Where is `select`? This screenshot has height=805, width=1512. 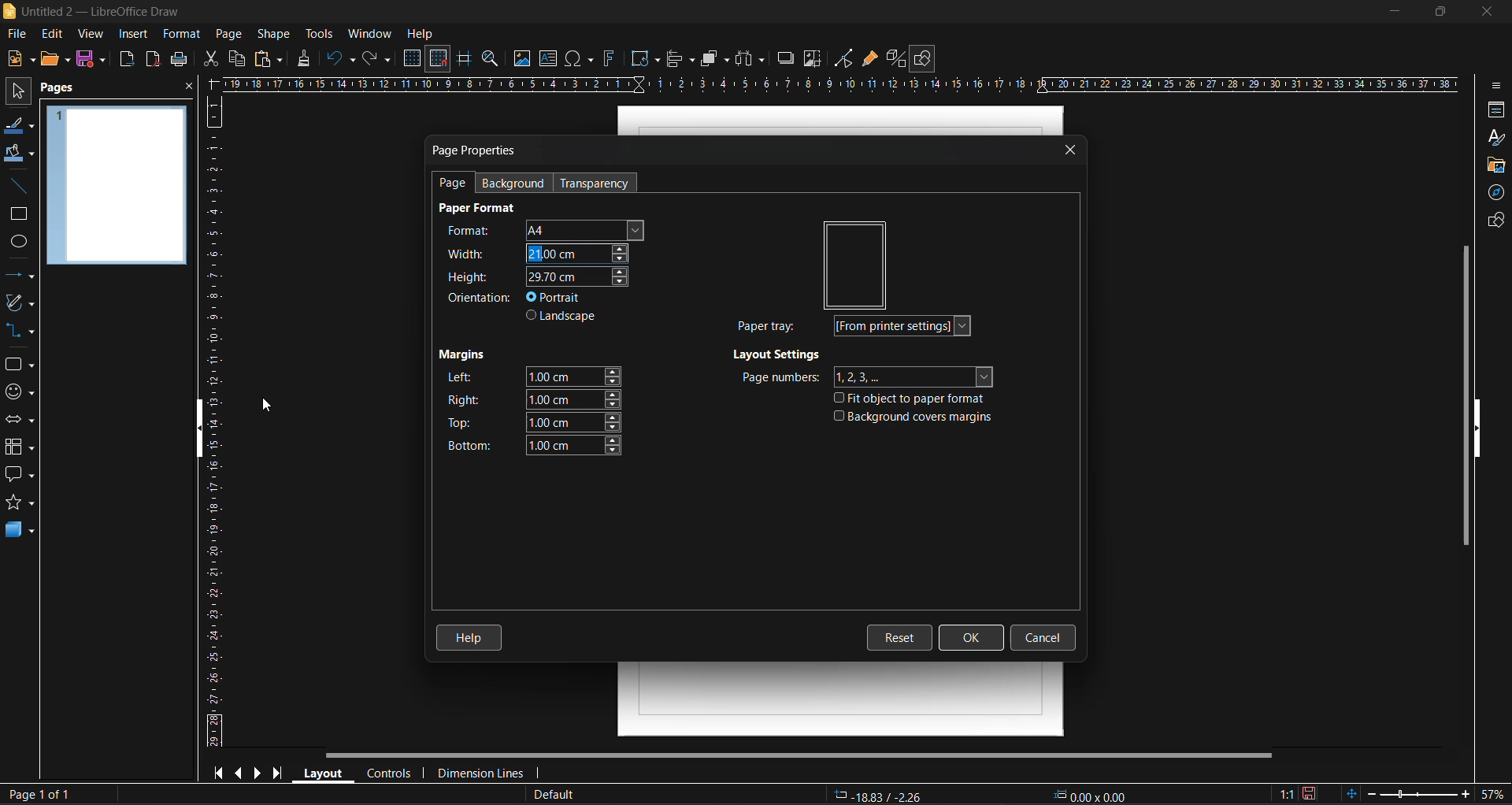 select is located at coordinates (20, 94).